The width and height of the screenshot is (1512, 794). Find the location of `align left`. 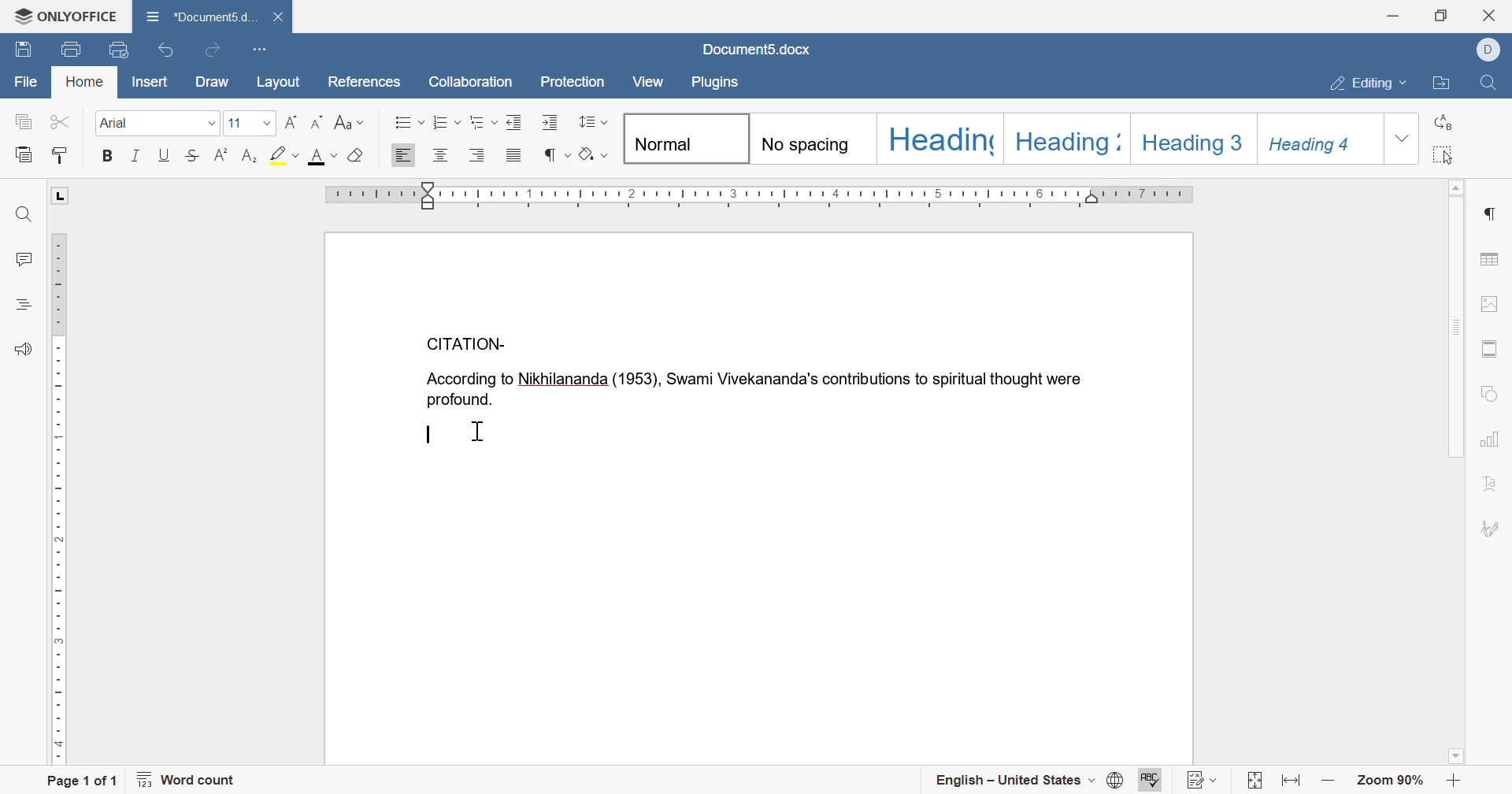

align left is located at coordinates (402, 156).